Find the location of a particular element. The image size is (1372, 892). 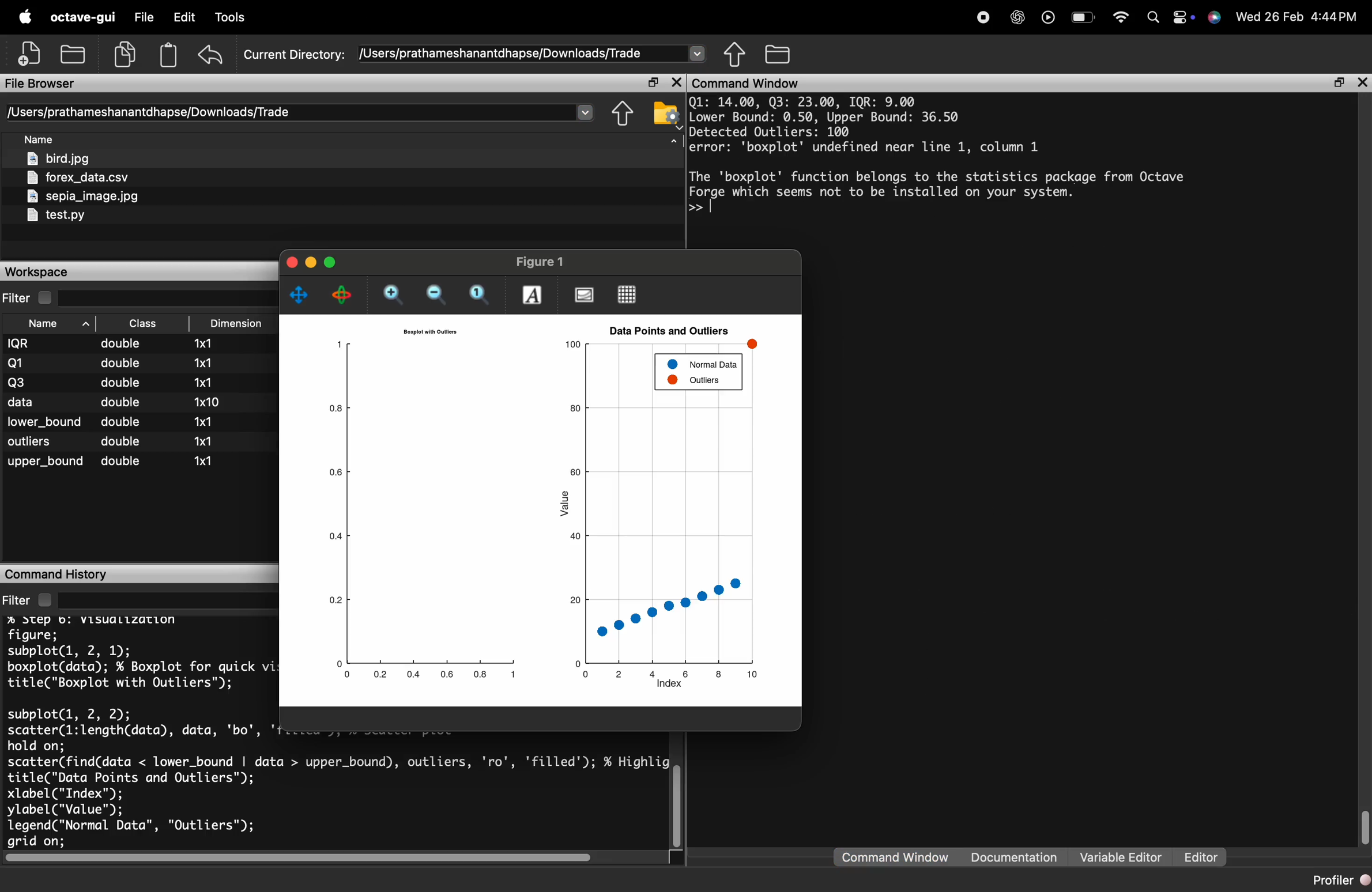

Command Window is located at coordinates (895, 857).